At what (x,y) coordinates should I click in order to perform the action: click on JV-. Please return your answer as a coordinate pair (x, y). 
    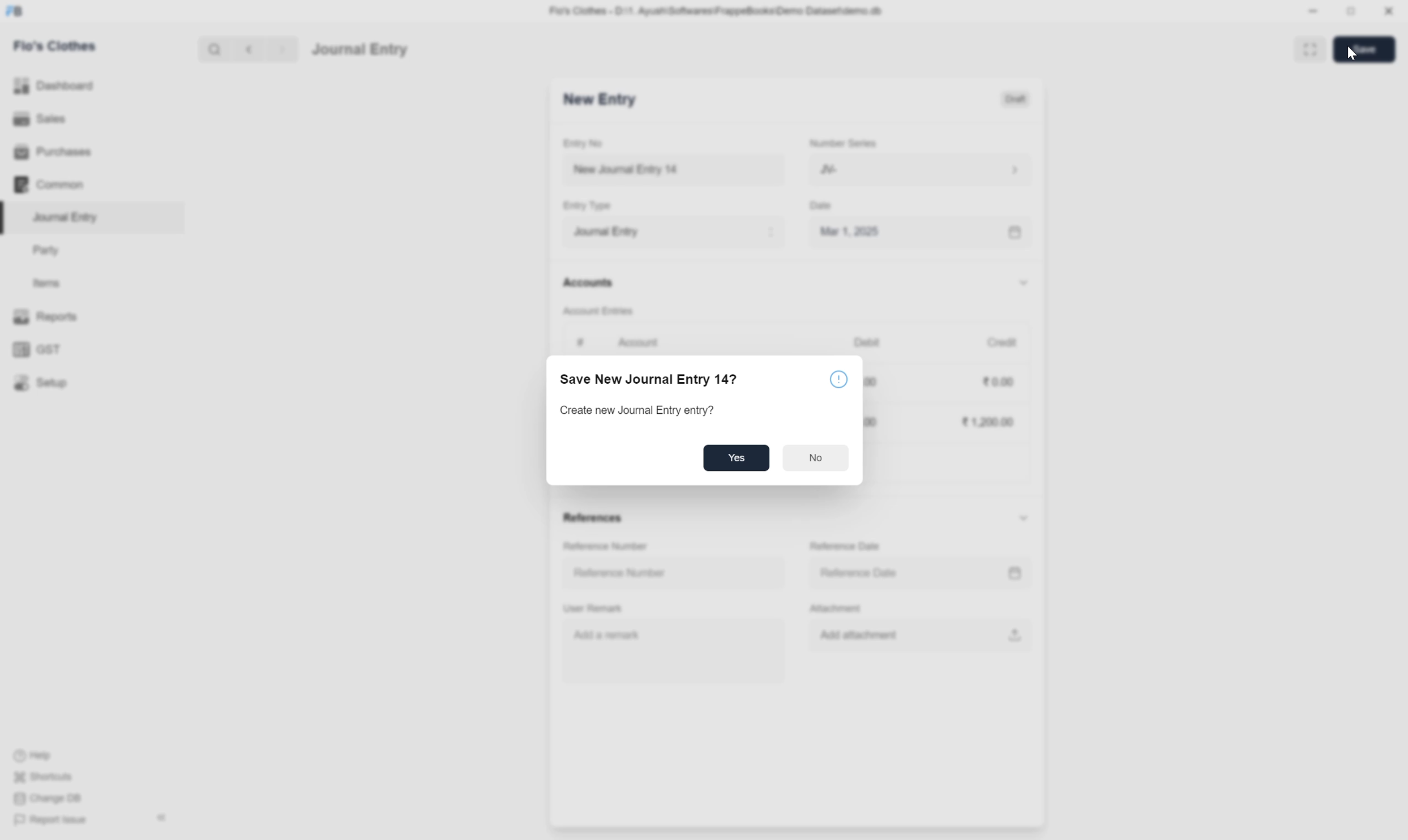
    Looking at the image, I should click on (921, 169).